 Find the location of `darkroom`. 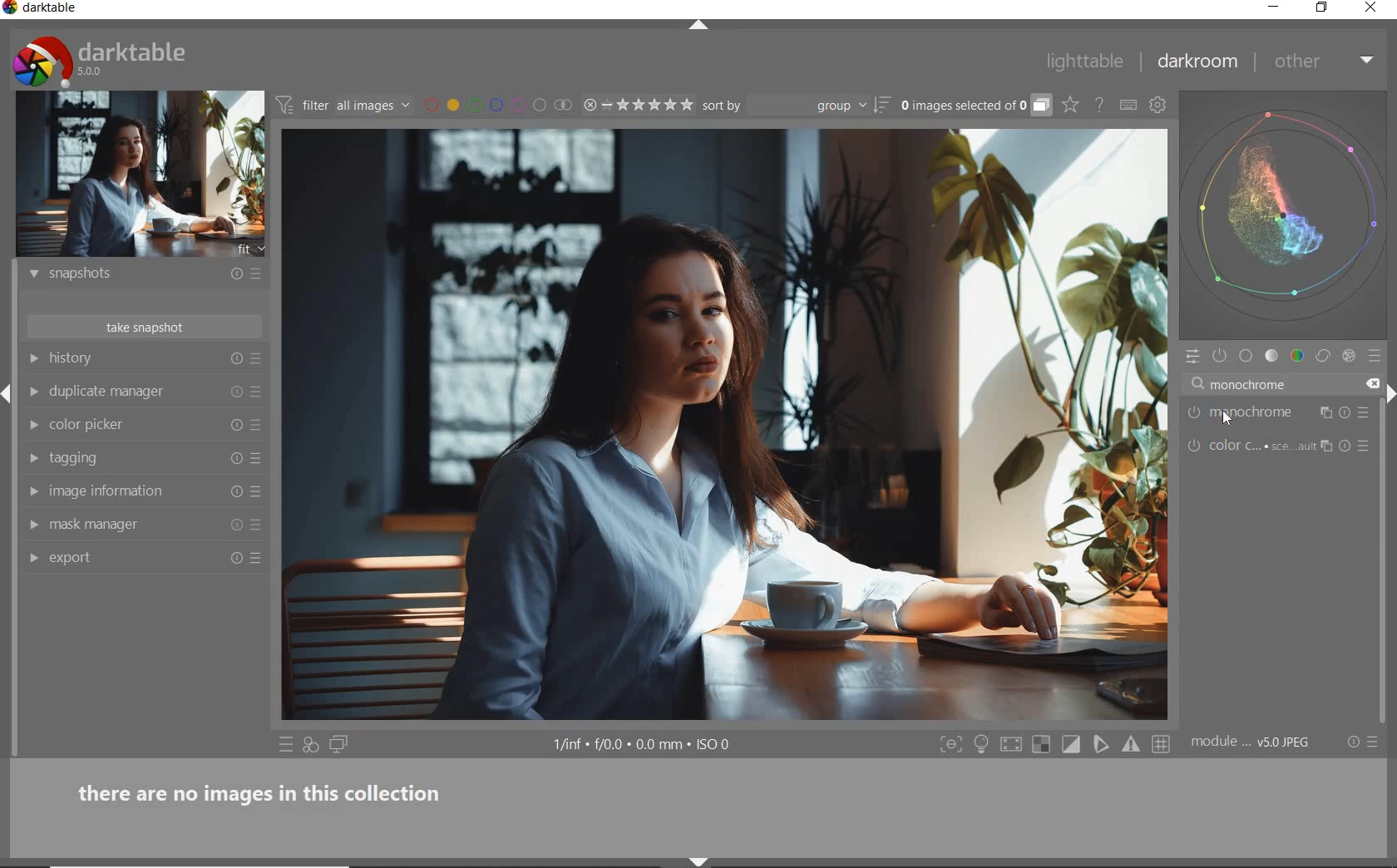

darkroom is located at coordinates (1198, 65).